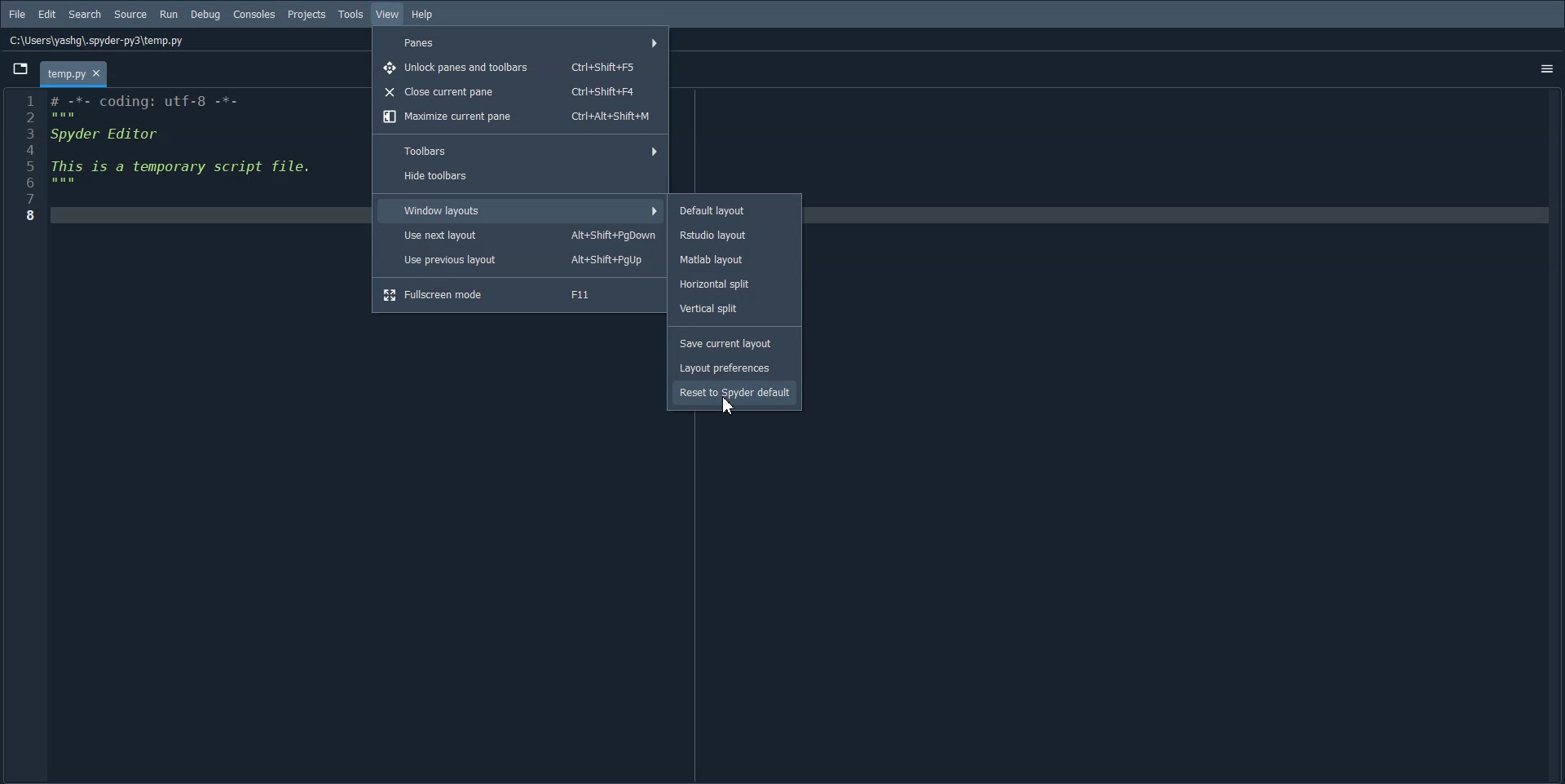 The height and width of the screenshot is (784, 1565). What do you see at coordinates (350, 15) in the screenshot?
I see `Tools` at bounding box center [350, 15].